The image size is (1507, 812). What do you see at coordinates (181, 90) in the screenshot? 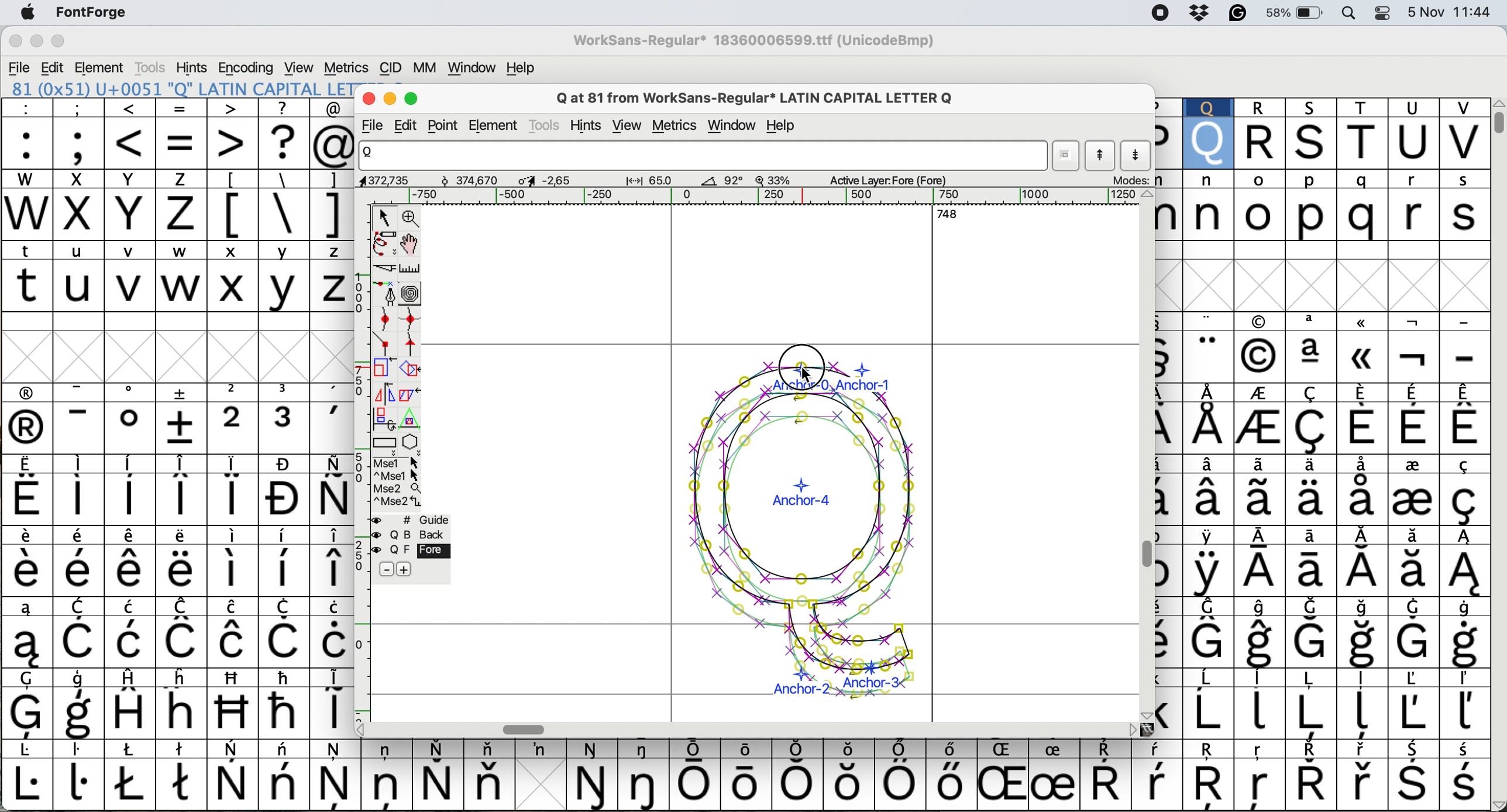
I see `81 (0x51) U+0051 "Q" LATIN CAPITAL LET` at bounding box center [181, 90].